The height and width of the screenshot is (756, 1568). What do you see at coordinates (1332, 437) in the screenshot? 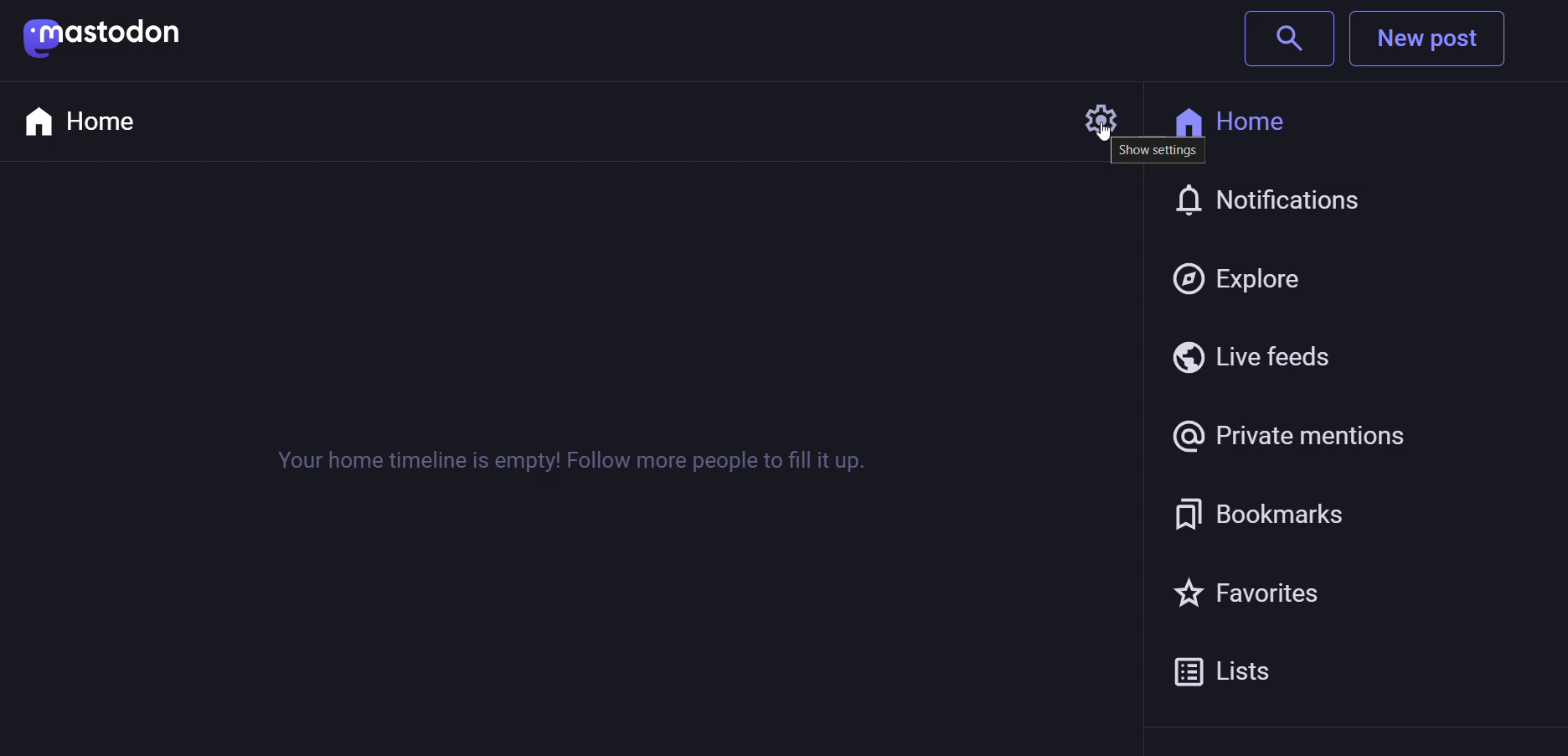
I see `Private mention` at bounding box center [1332, 437].